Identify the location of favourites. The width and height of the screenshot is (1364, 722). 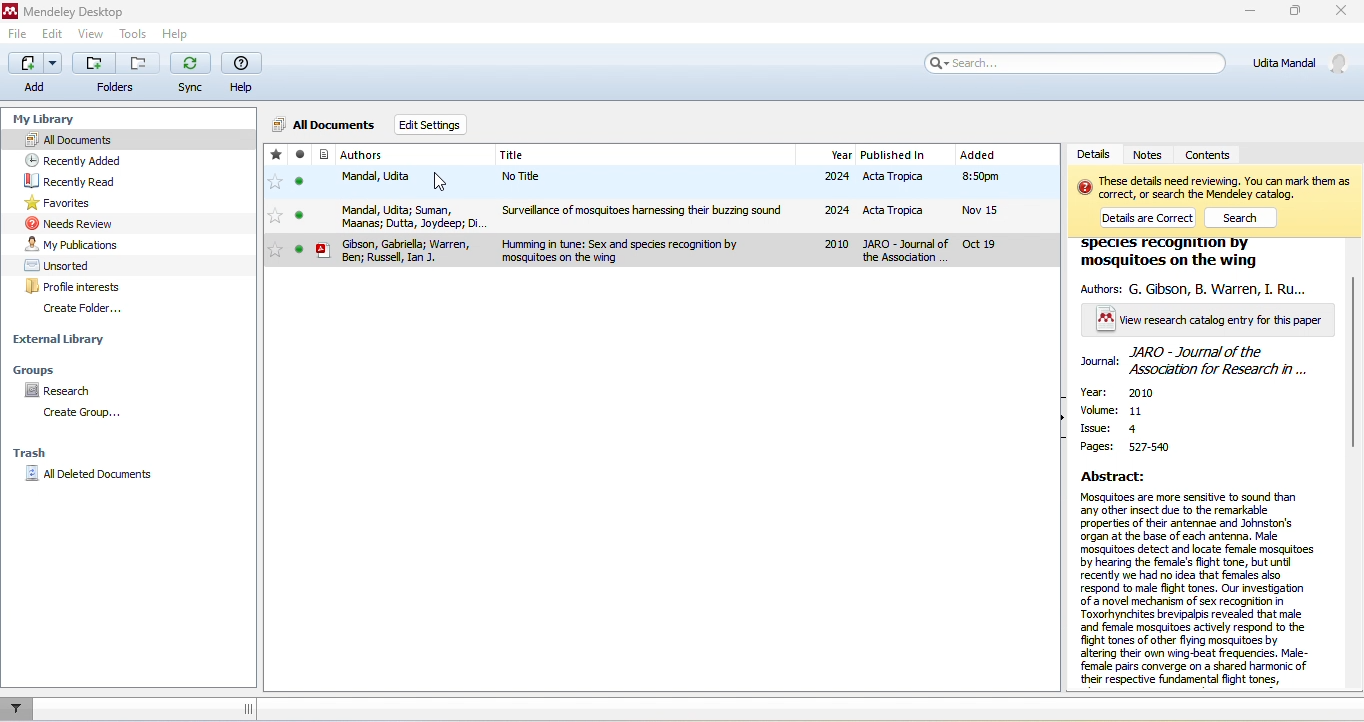
(65, 203).